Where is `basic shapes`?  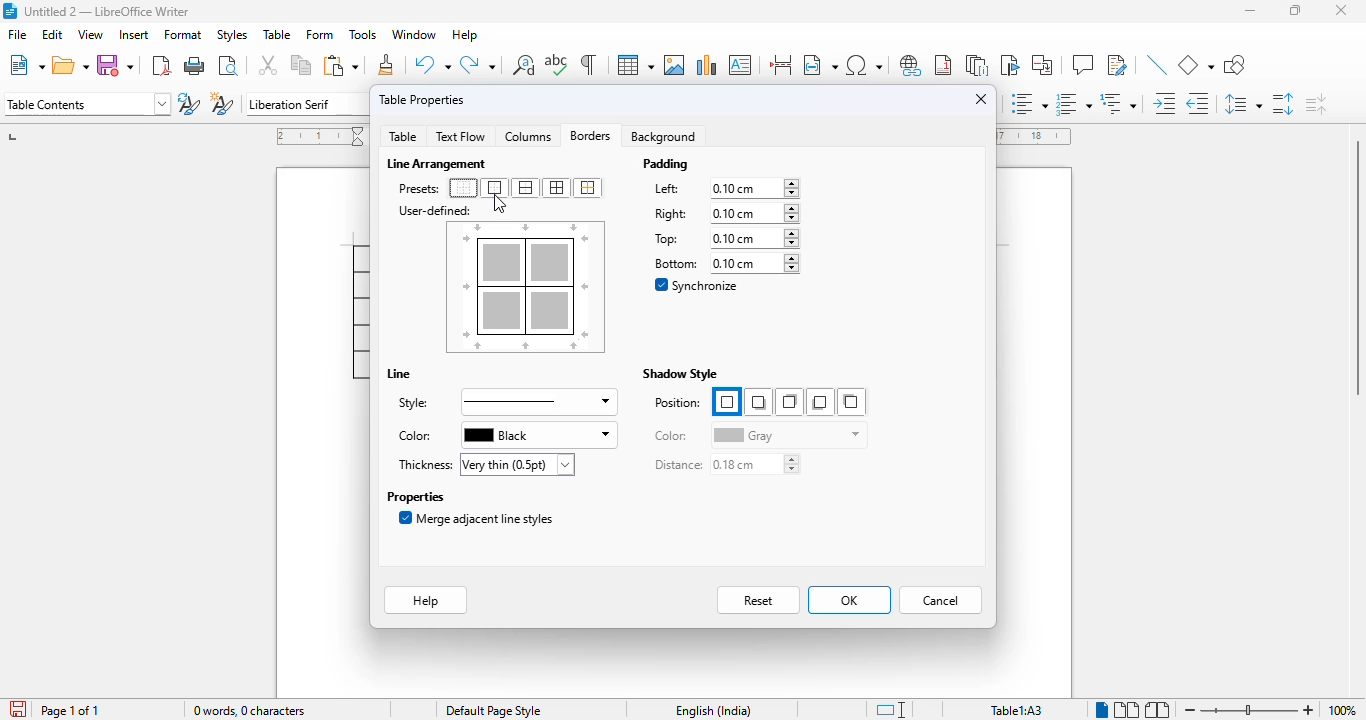
basic shapes is located at coordinates (1196, 65).